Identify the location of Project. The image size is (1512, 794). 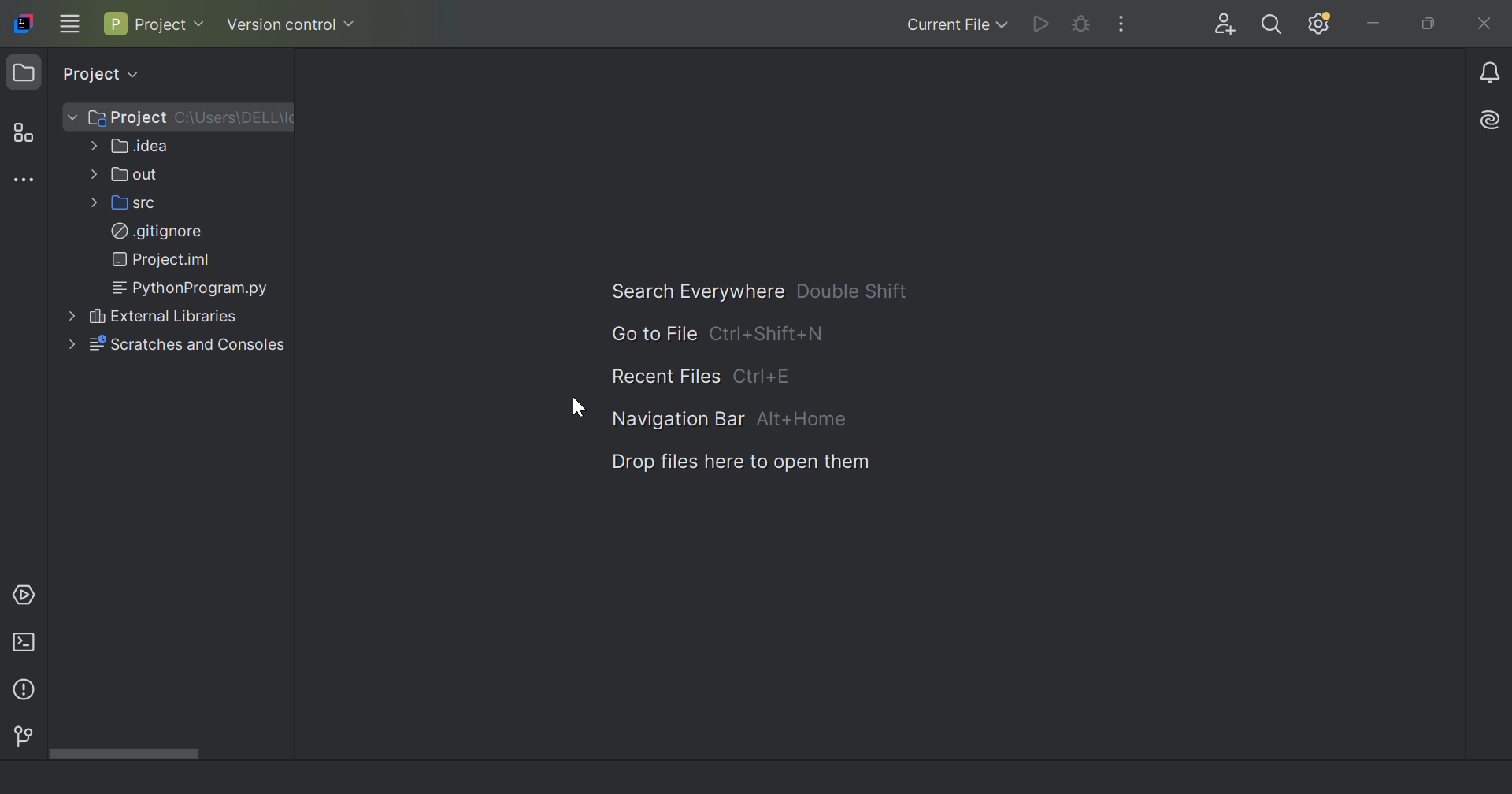
(155, 24).